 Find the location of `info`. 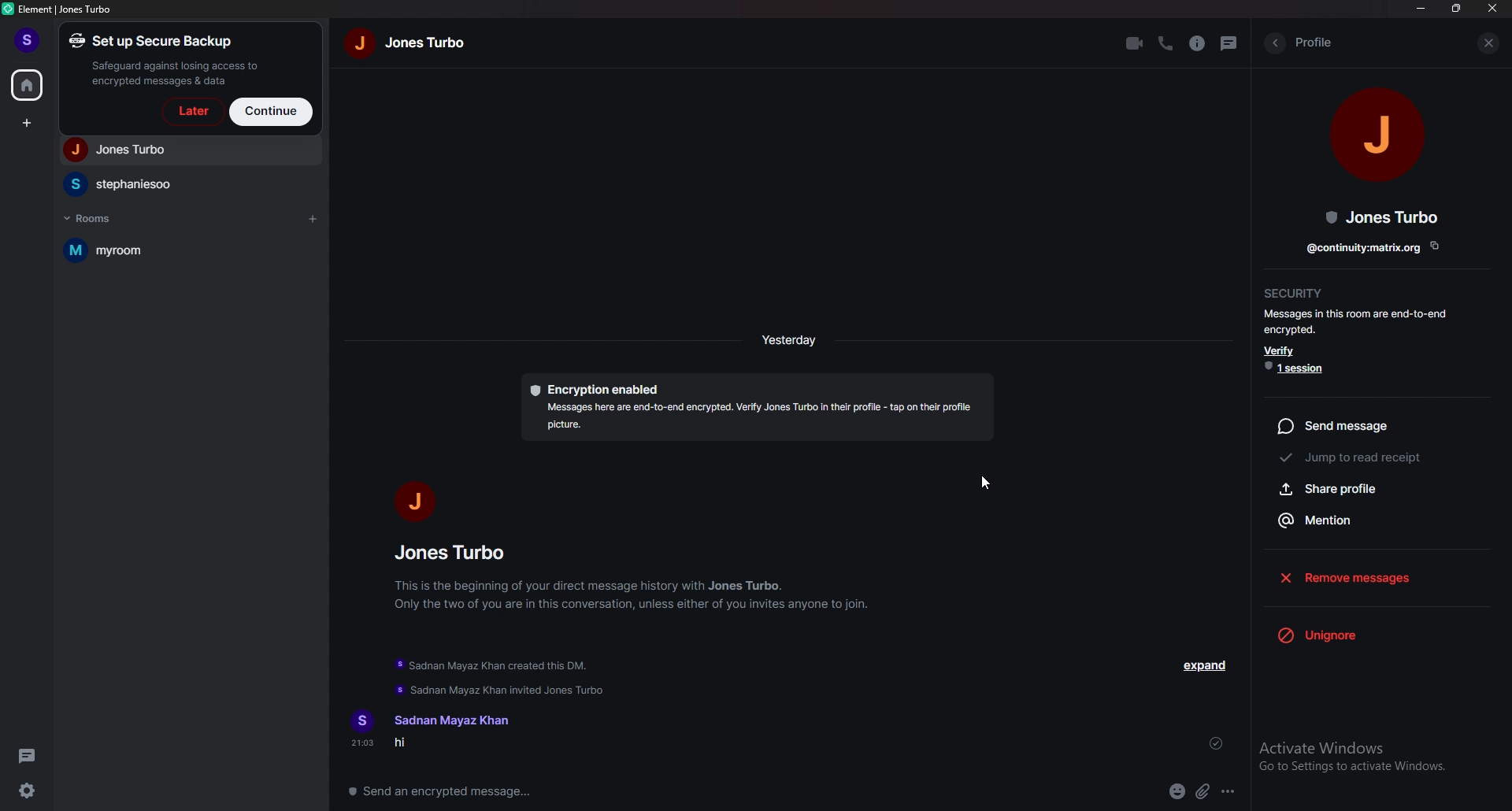

info is located at coordinates (1198, 43).